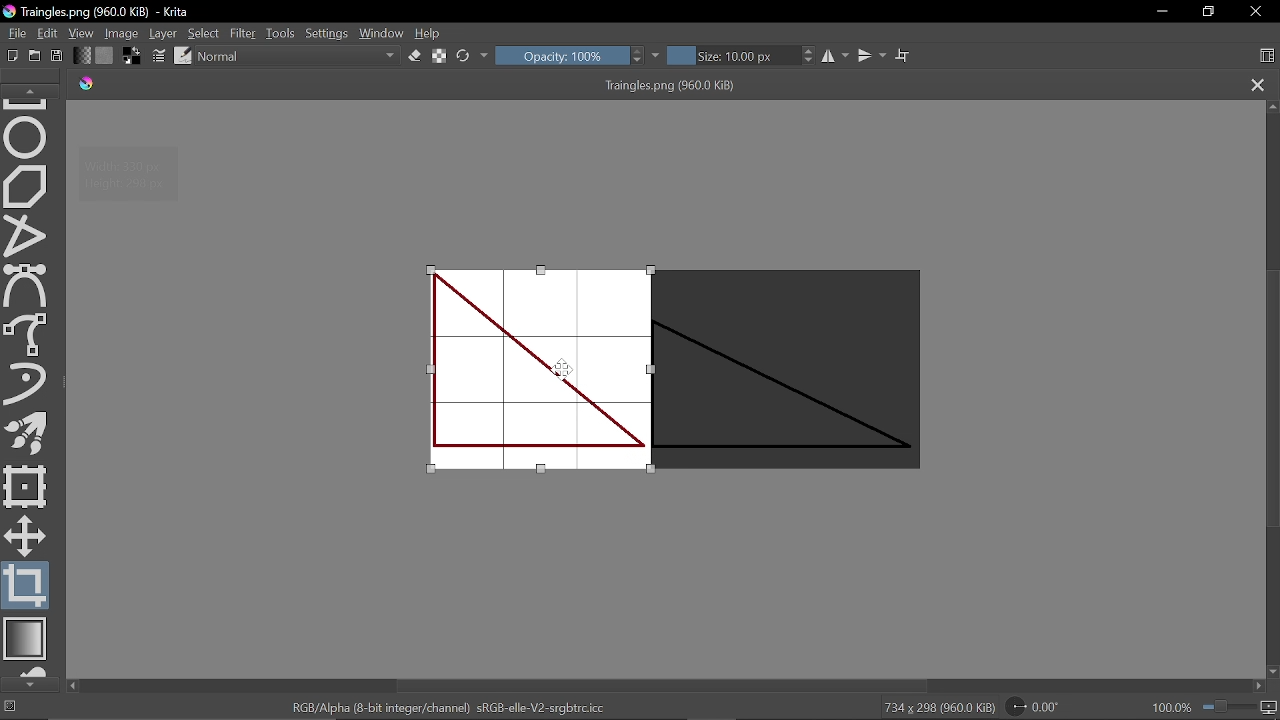 The image size is (1280, 720). I want to click on Multibrush tool, so click(30, 436).